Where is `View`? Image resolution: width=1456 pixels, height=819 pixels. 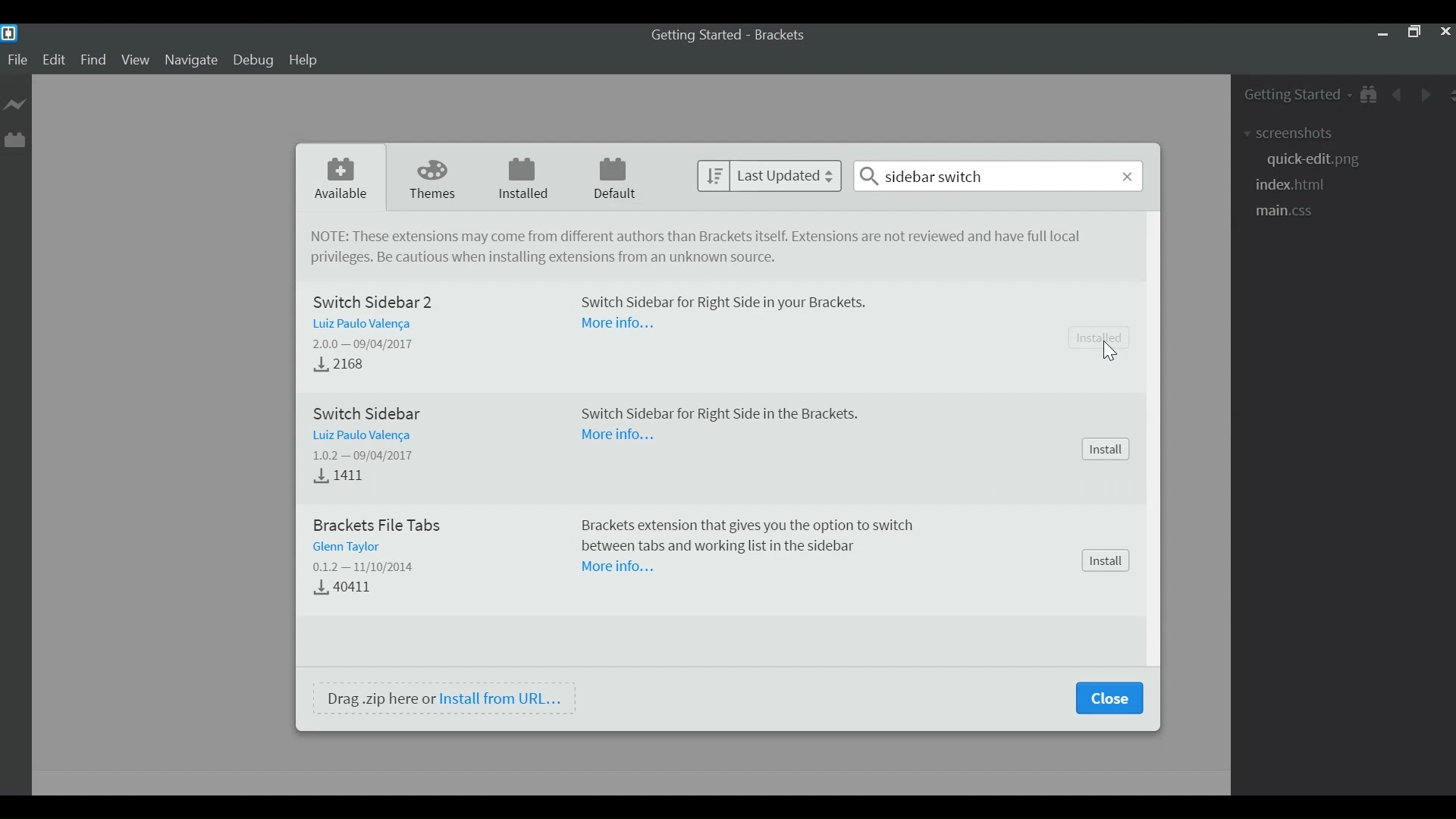
View is located at coordinates (135, 61).